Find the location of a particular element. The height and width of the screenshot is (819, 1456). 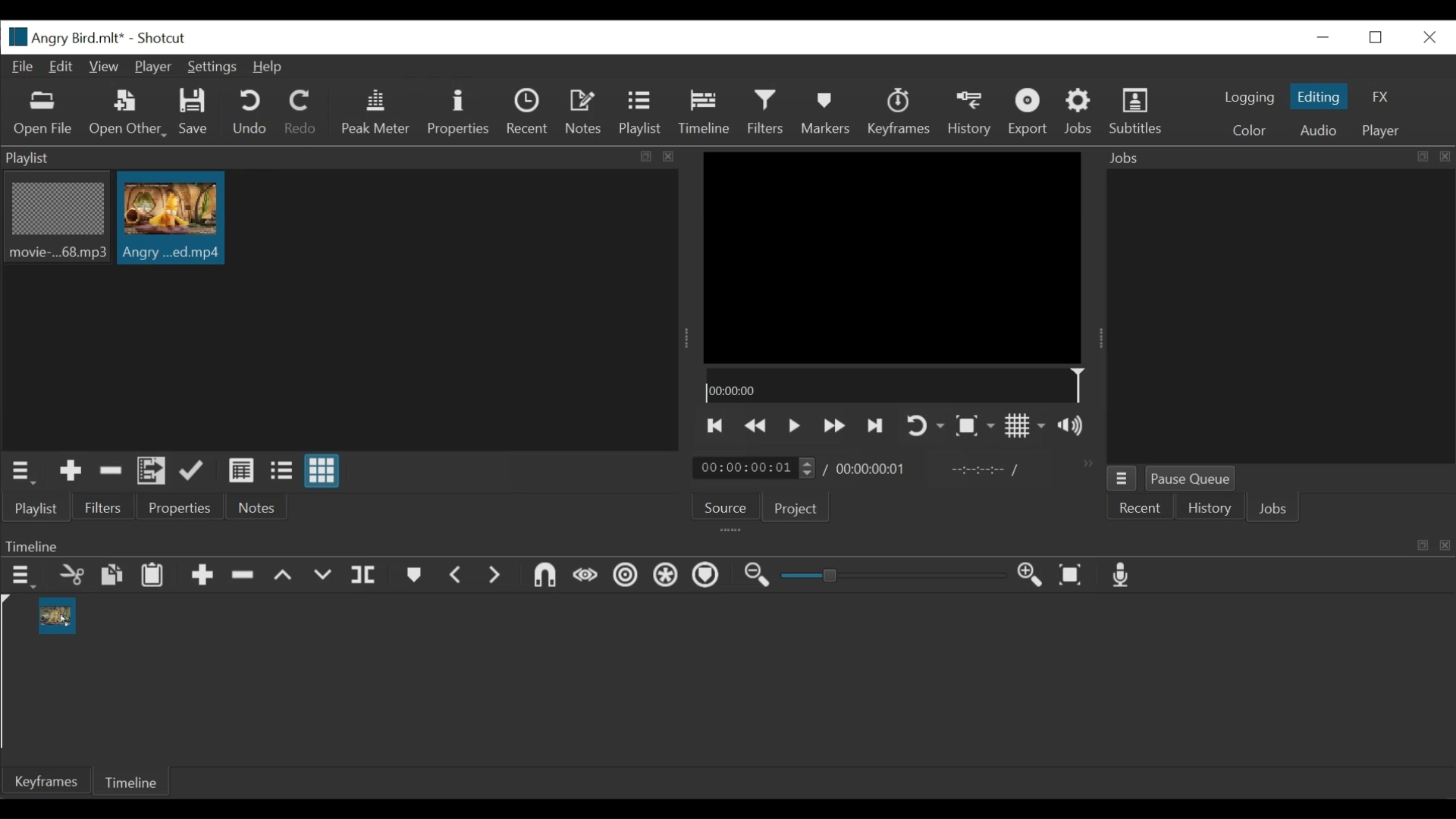

Toggle player looping is located at coordinates (923, 427).